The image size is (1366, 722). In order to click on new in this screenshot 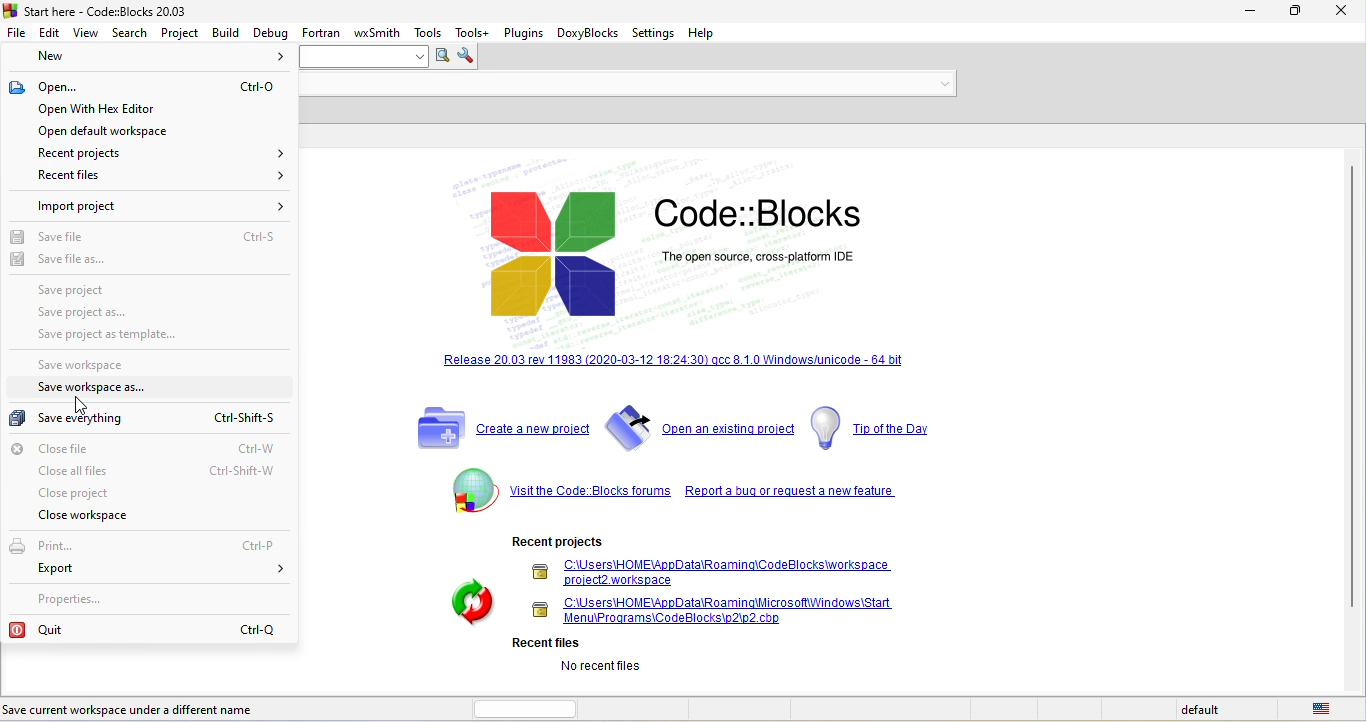, I will do `click(151, 58)`.